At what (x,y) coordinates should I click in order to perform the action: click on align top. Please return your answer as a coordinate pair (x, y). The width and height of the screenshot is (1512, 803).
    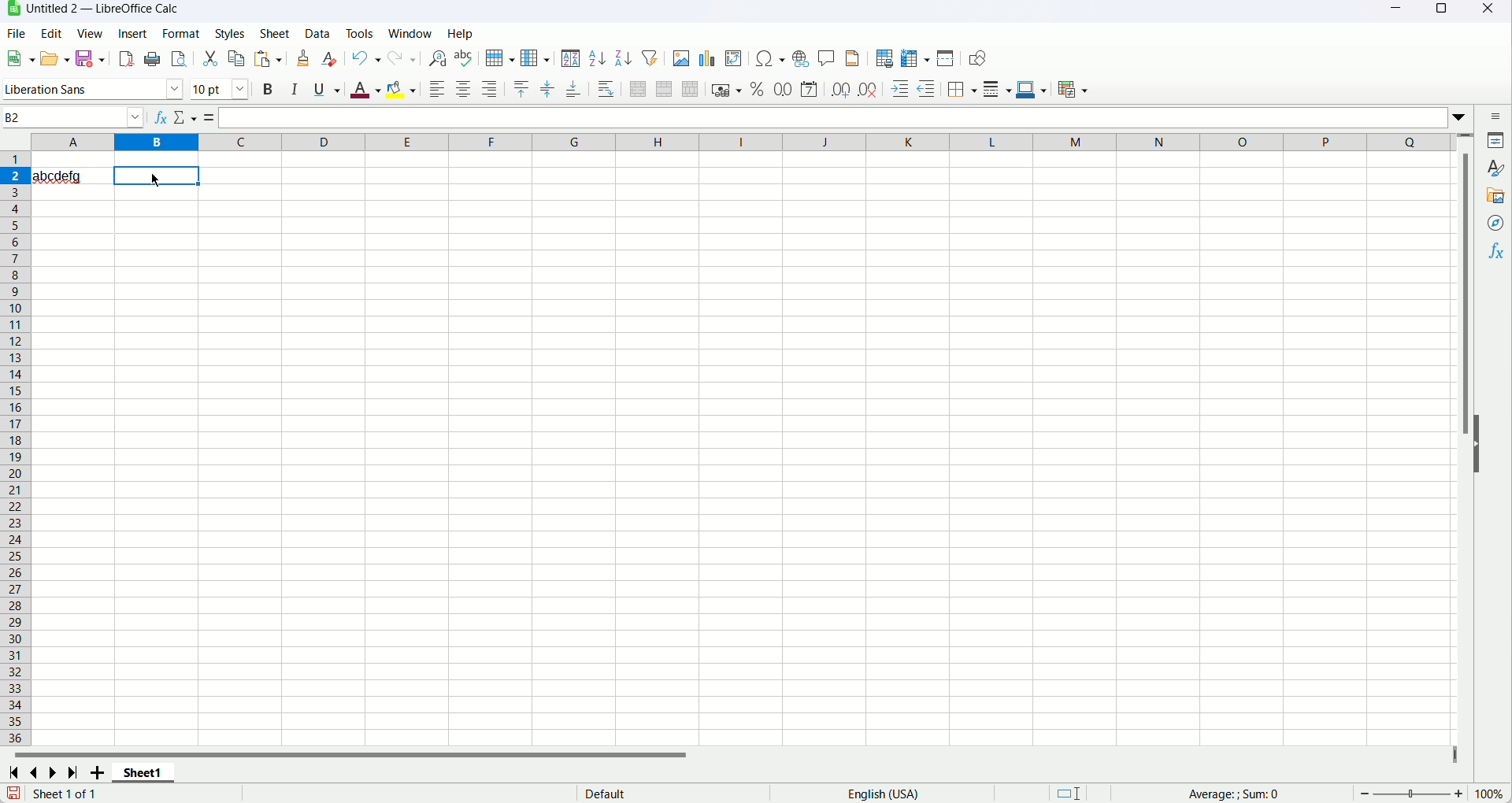
    Looking at the image, I should click on (522, 90).